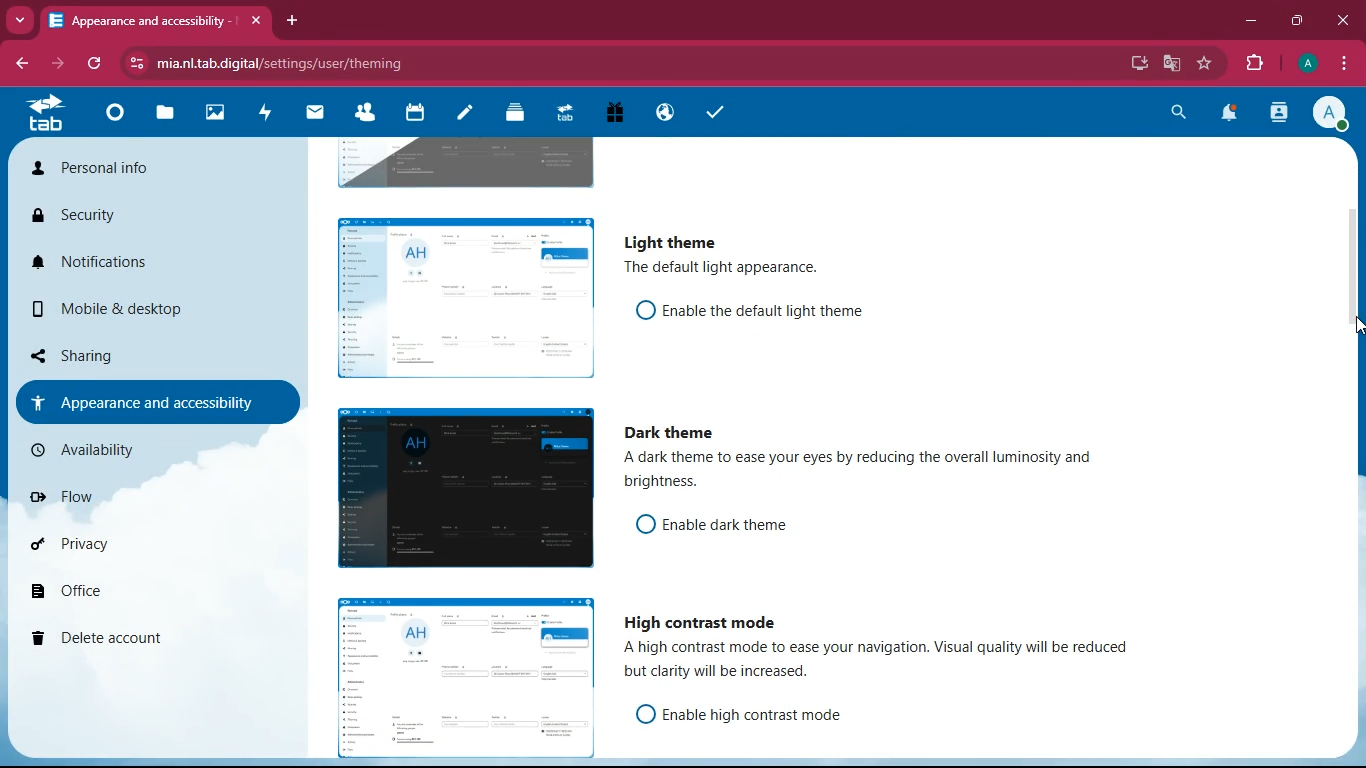 This screenshot has width=1366, height=768. Describe the element at coordinates (1344, 328) in the screenshot. I see `cursor` at that location.